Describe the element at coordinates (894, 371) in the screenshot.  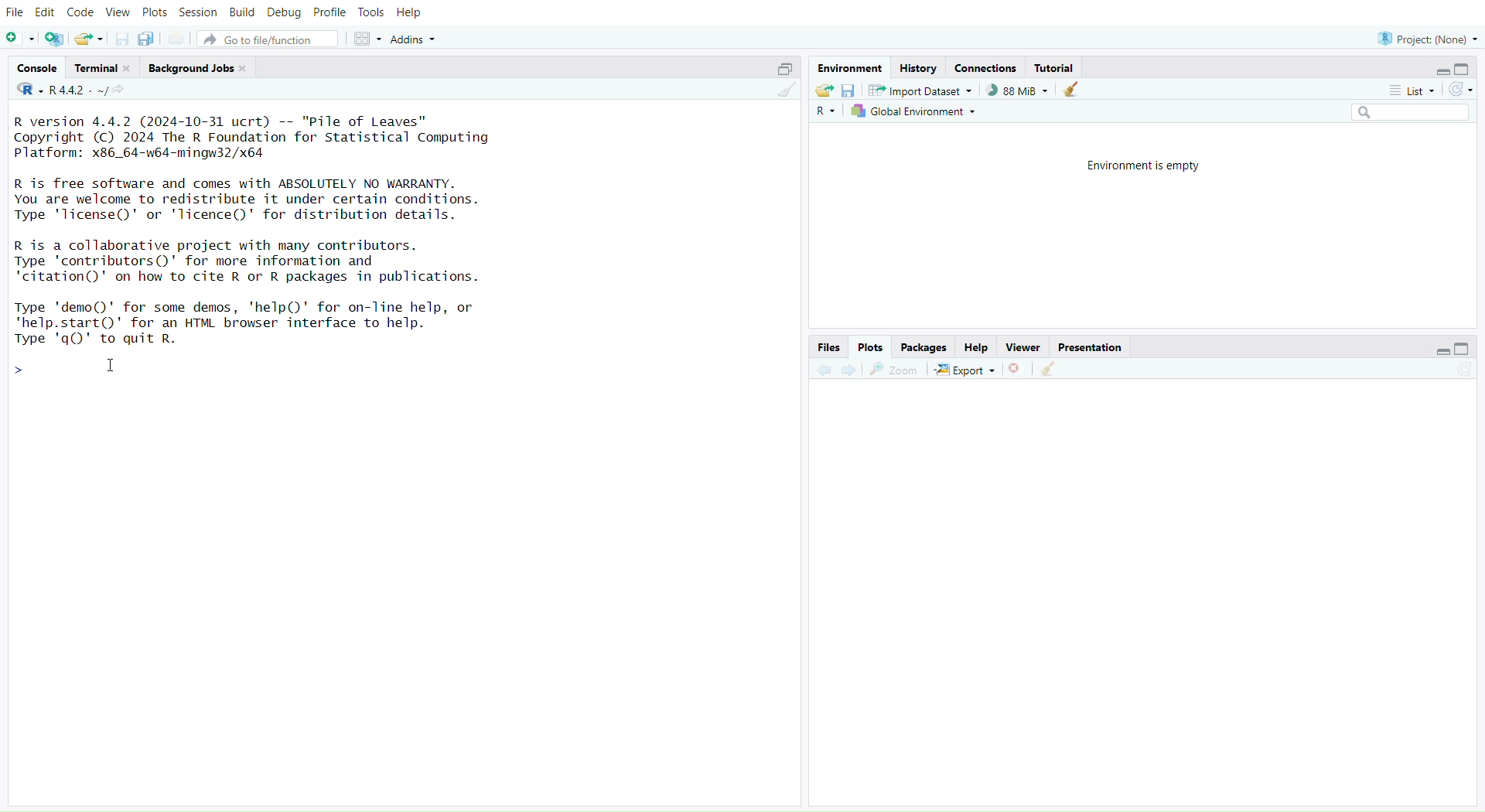
I see `zoom` at that location.